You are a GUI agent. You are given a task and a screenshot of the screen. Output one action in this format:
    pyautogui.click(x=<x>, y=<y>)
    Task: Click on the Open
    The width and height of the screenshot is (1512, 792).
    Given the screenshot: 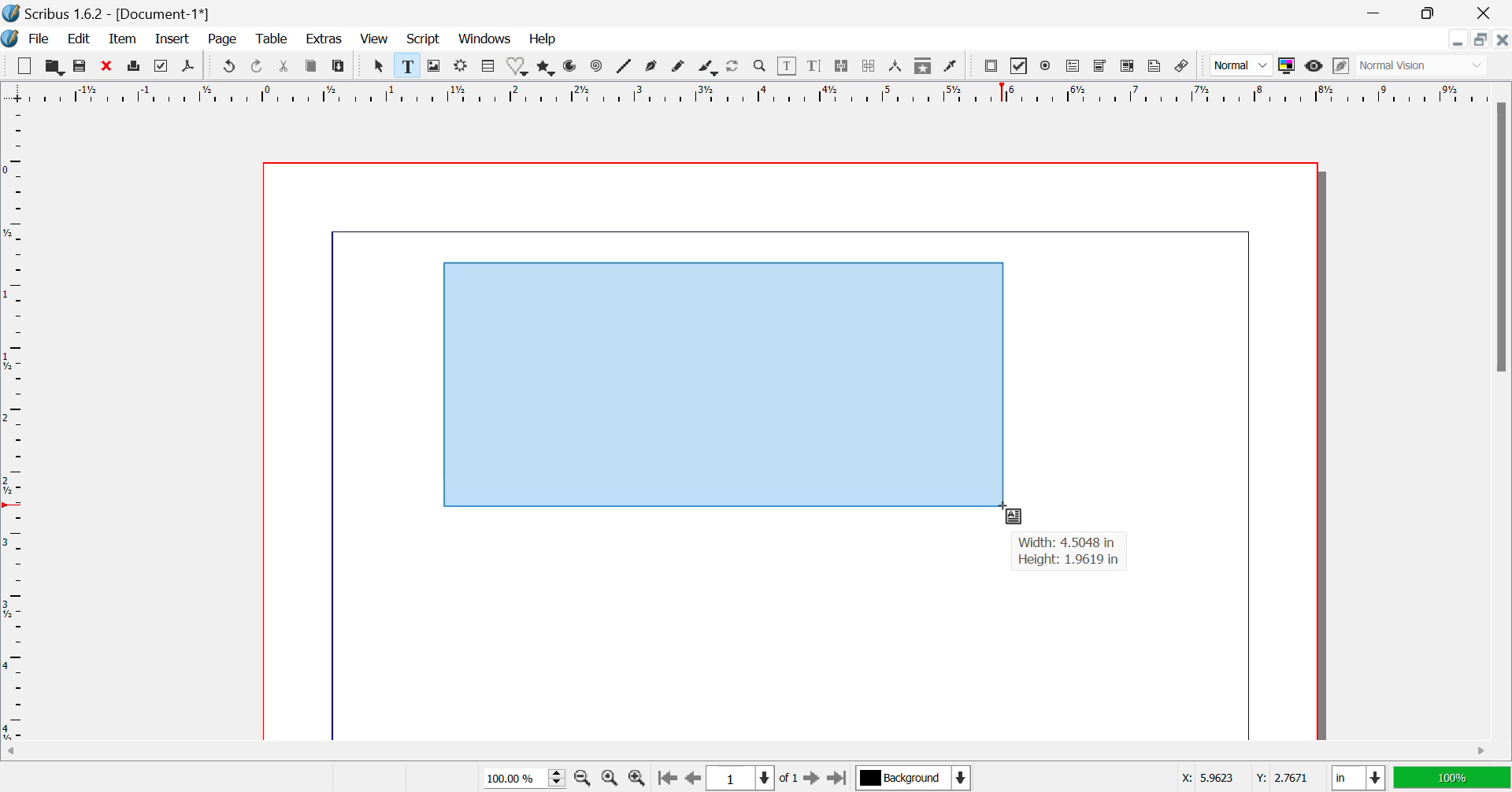 What is the action you would take?
    pyautogui.click(x=54, y=66)
    